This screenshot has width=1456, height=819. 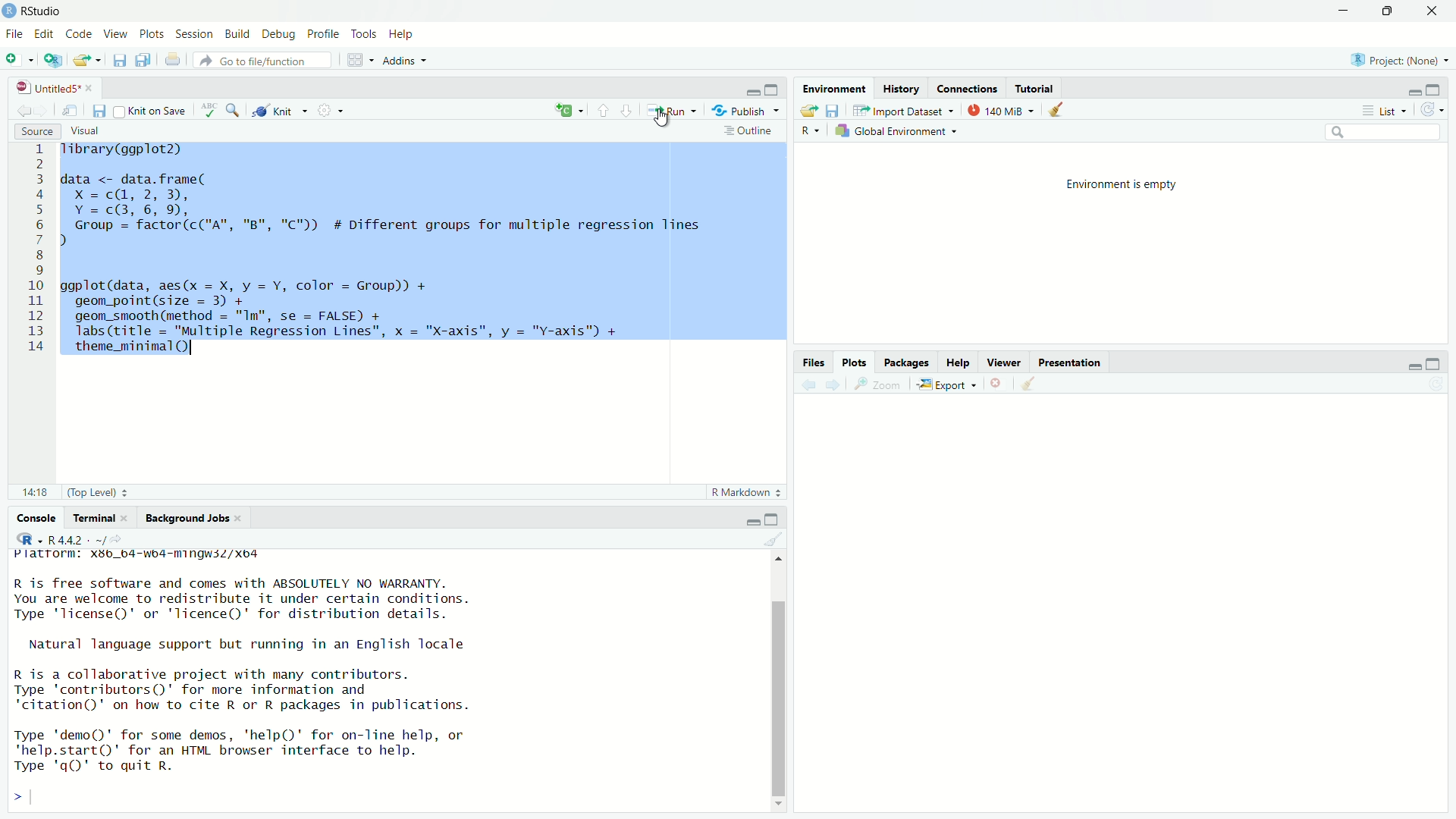 What do you see at coordinates (676, 110) in the screenshot?
I see `Run +` at bounding box center [676, 110].